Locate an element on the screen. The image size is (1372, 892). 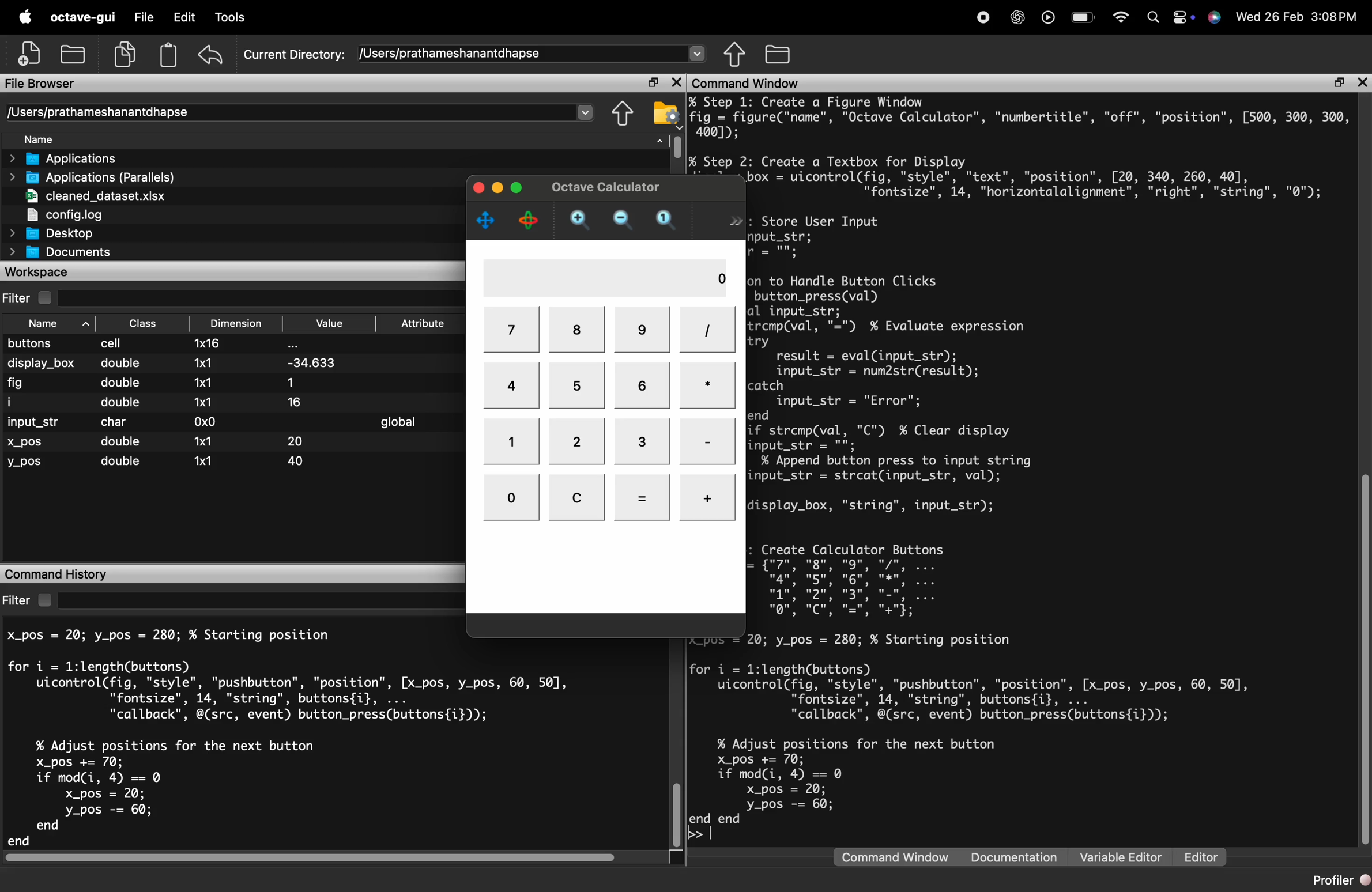
1x1 is located at coordinates (201, 381).